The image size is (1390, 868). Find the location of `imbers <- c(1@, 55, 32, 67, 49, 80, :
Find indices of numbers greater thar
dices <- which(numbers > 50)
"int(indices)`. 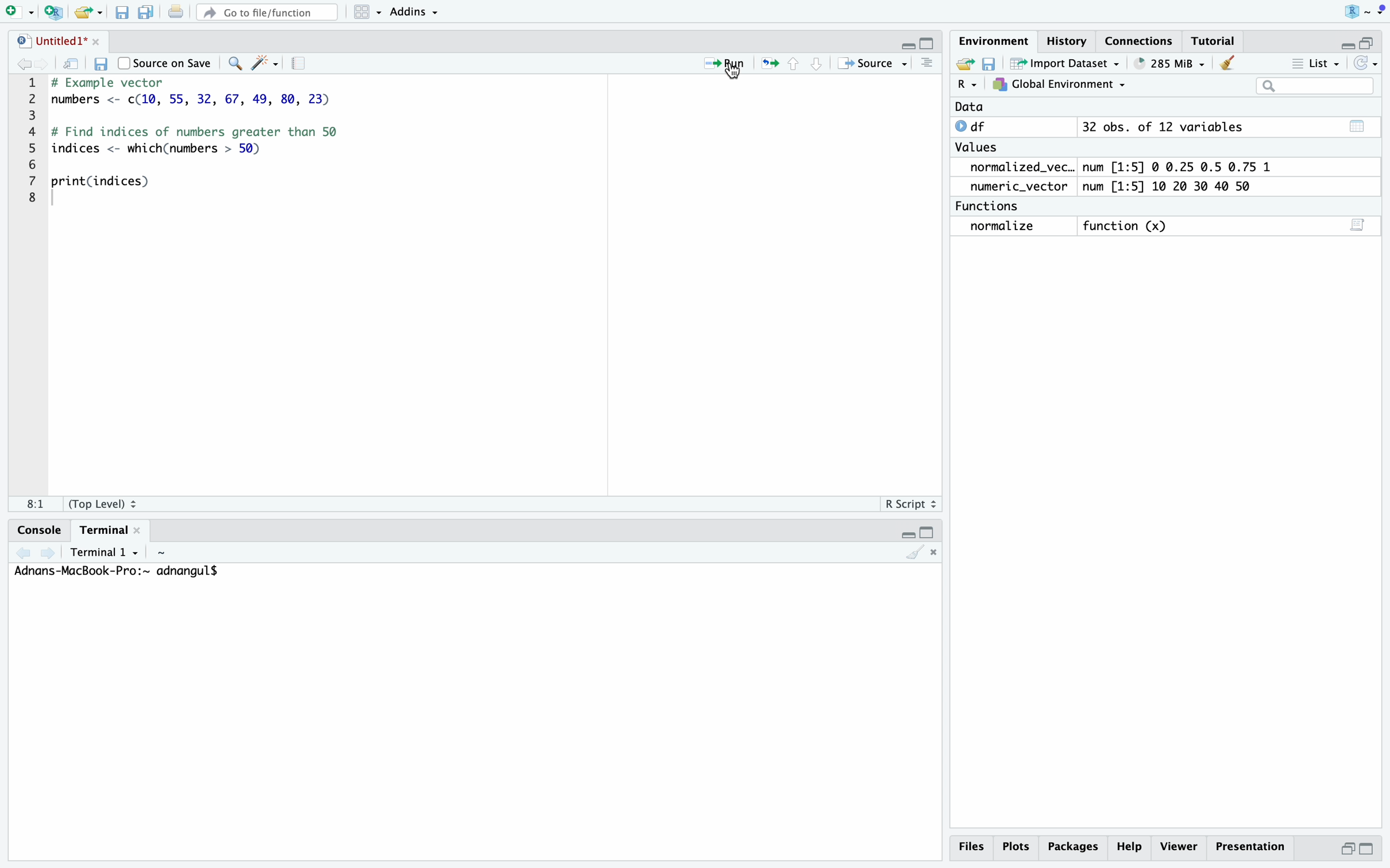

imbers <- c(1@, 55, 32, 67, 49, 80, :
Find indices of numbers greater thar
dices <- which(numbers > 50)
"int(indices) is located at coordinates (217, 147).